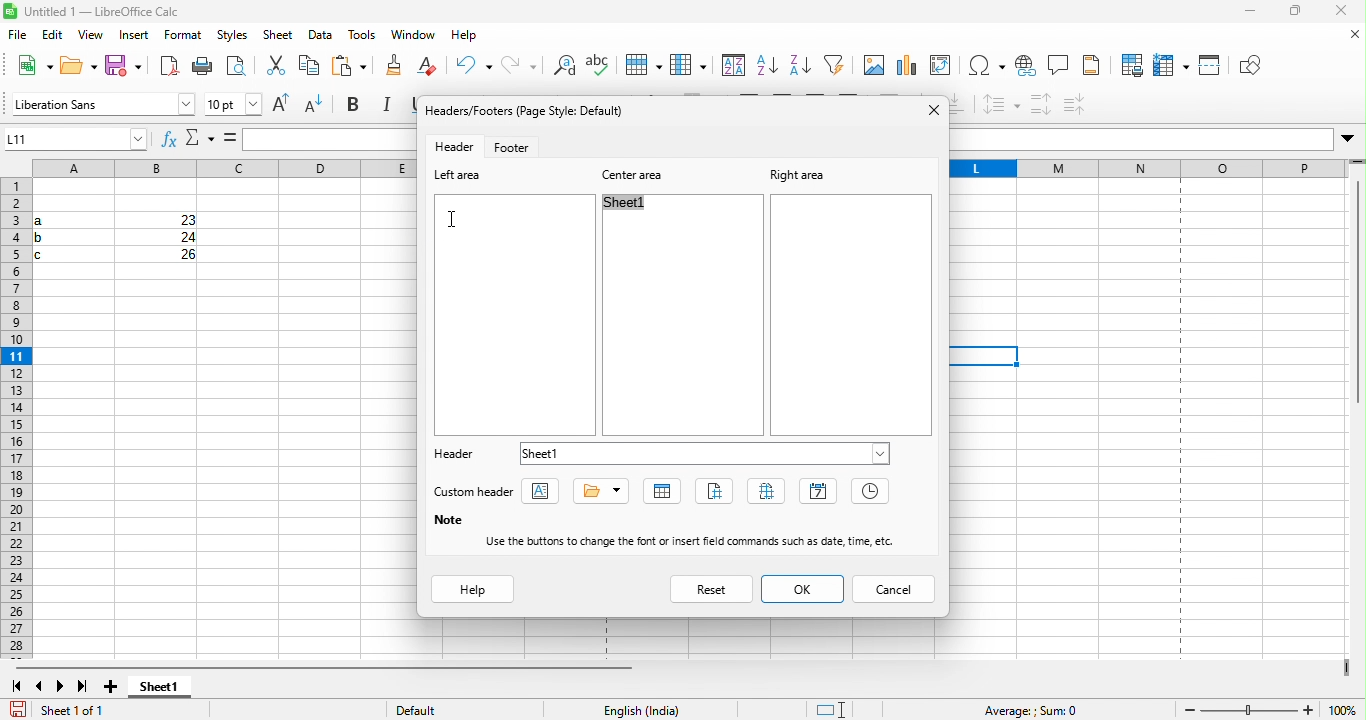  What do you see at coordinates (286, 107) in the screenshot?
I see `increase font size` at bounding box center [286, 107].